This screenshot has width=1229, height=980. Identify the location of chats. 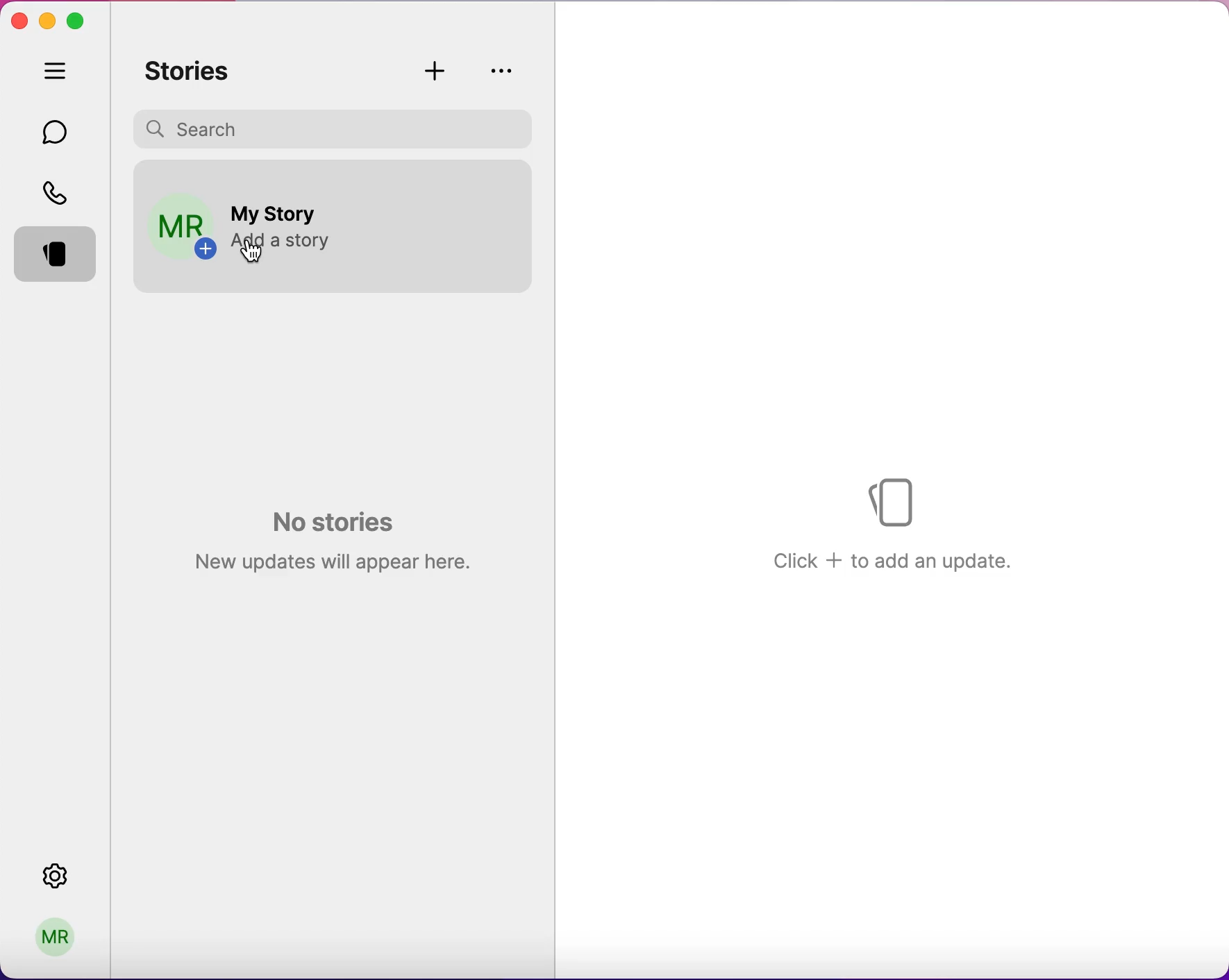
(58, 131).